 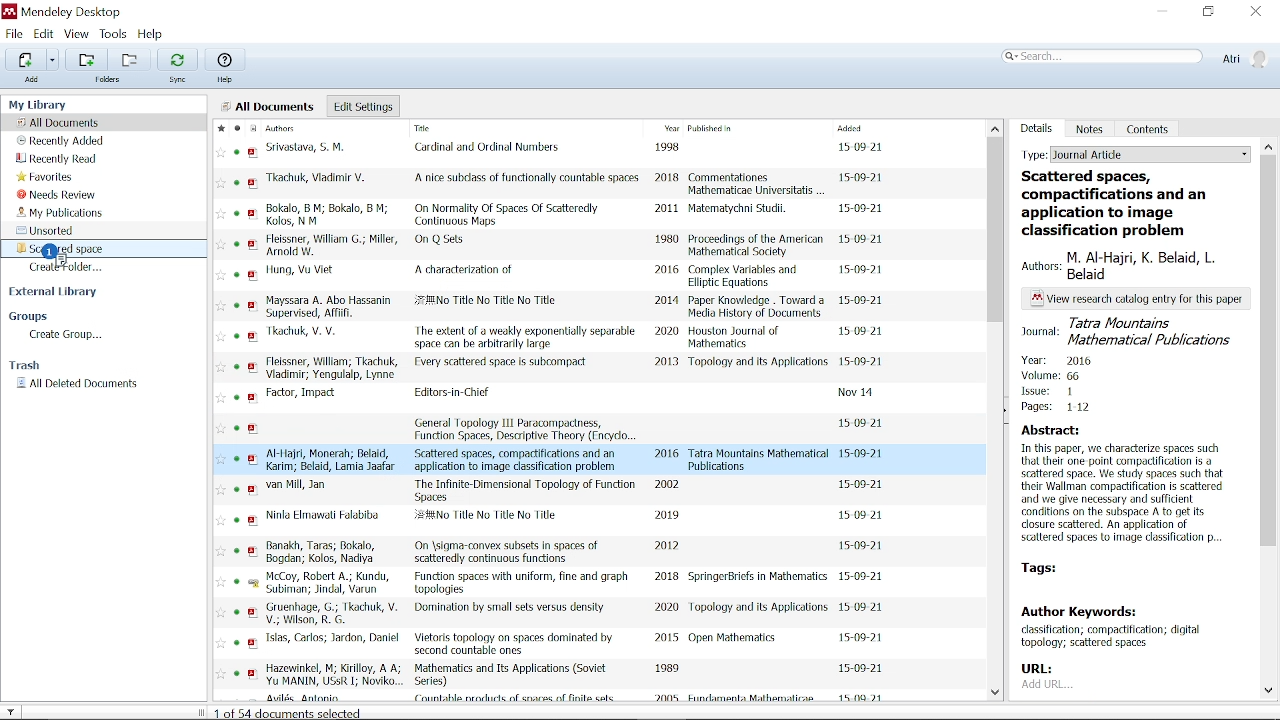 I want to click on Move down in all files, so click(x=998, y=695).